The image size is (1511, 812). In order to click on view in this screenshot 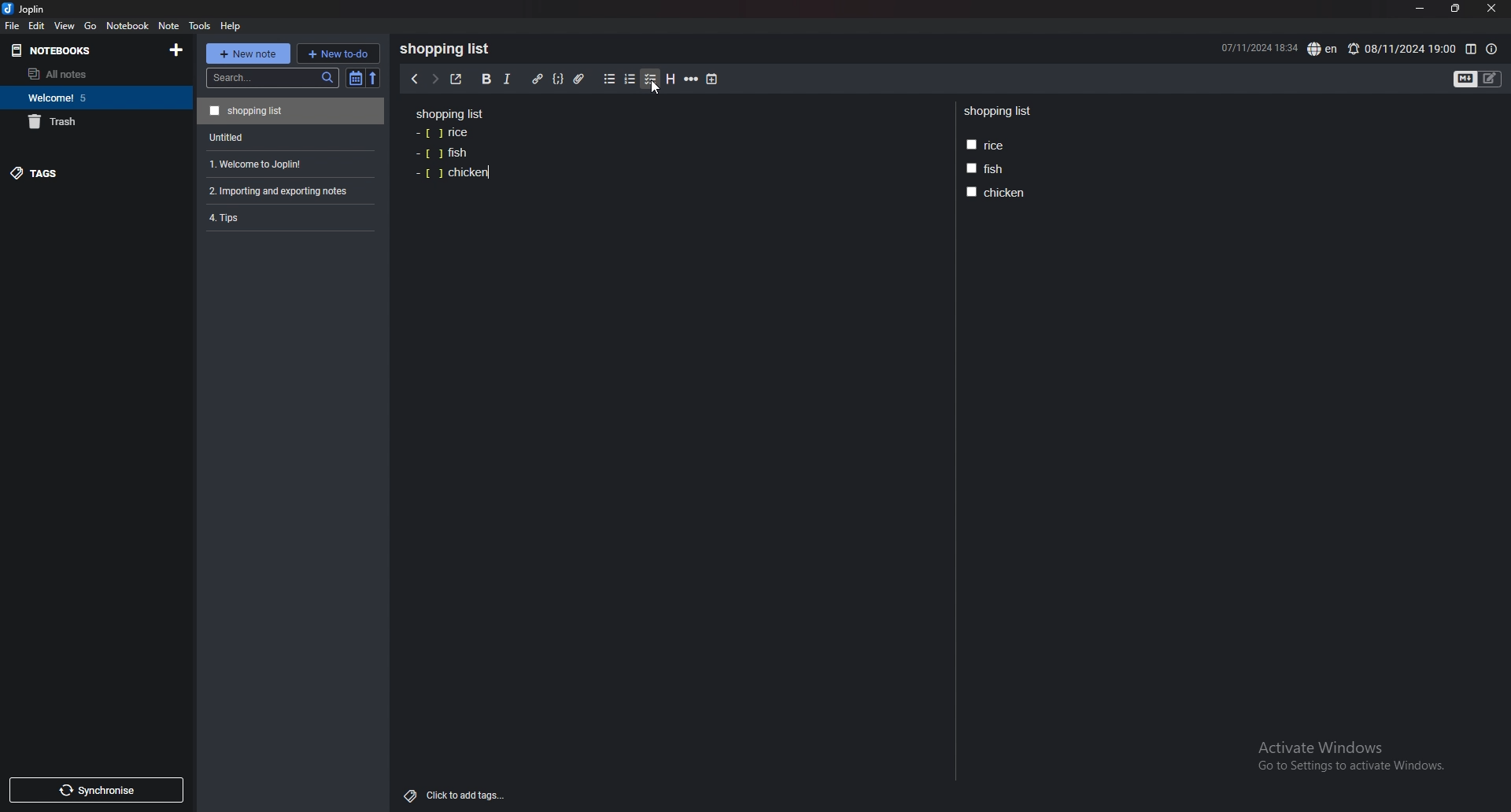, I will do `click(66, 25)`.